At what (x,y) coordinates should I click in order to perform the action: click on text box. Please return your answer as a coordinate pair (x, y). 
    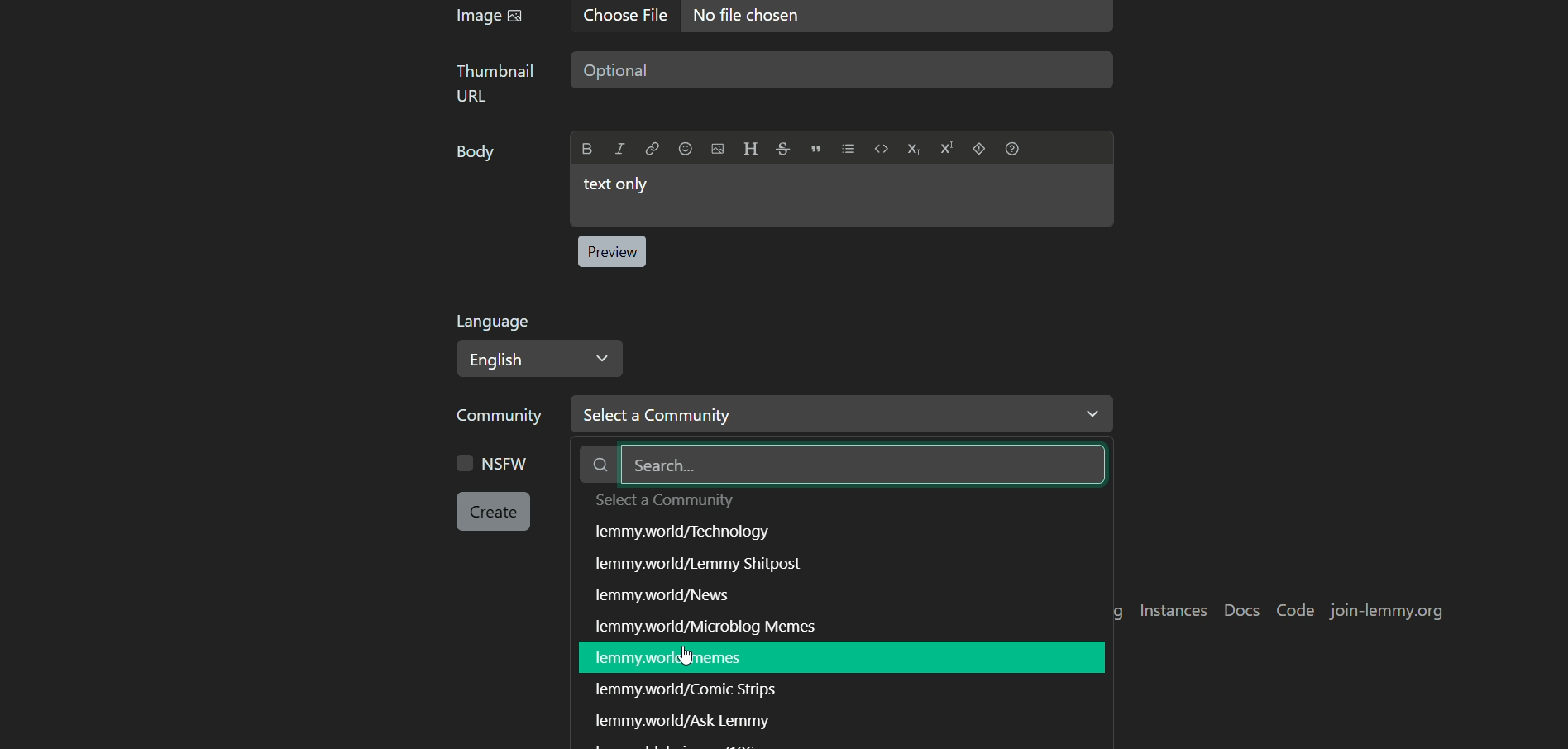
    Looking at the image, I should click on (844, 70).